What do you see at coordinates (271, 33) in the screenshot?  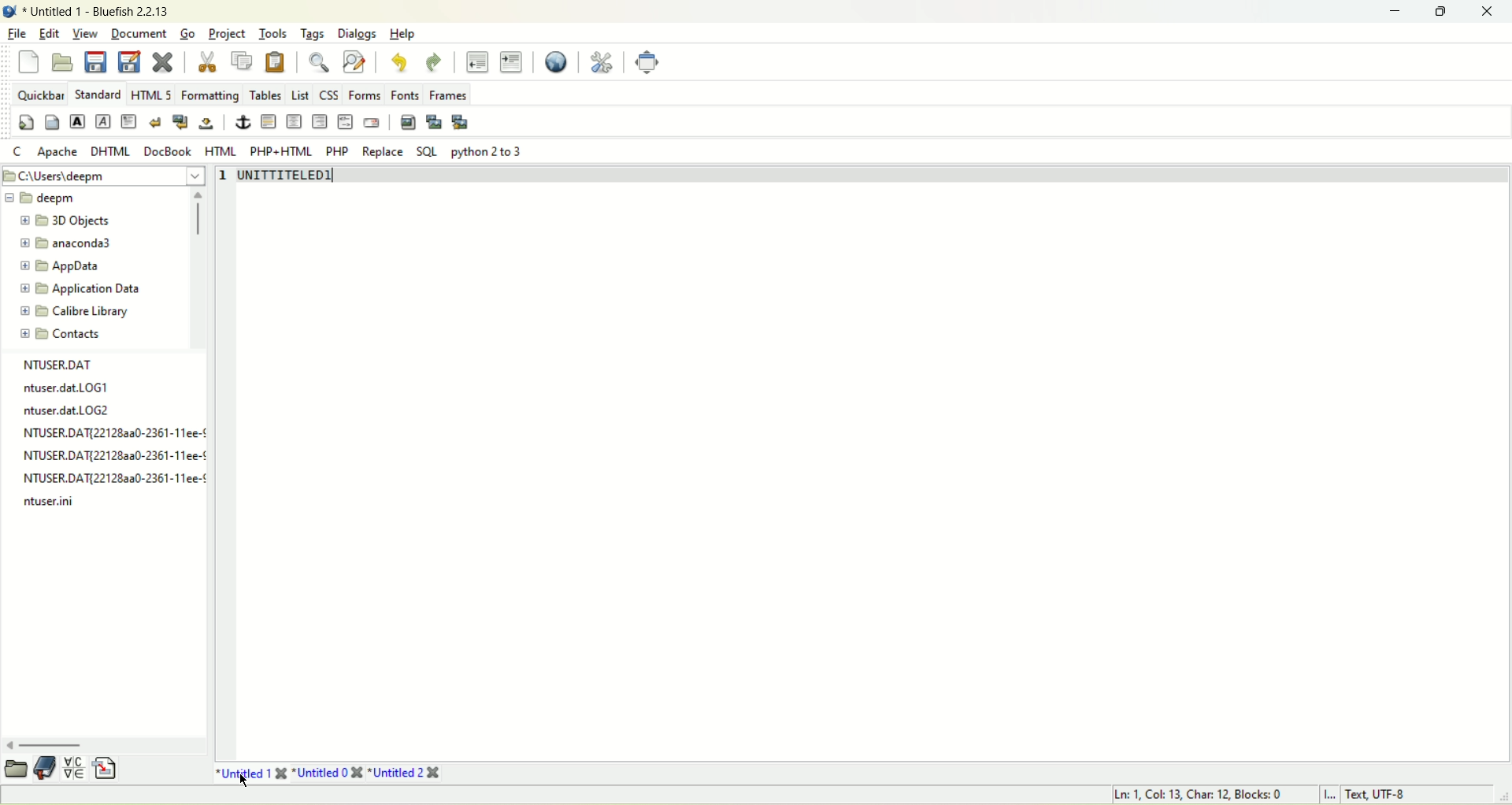 I see `Tools` at bounding box center [271, 33].